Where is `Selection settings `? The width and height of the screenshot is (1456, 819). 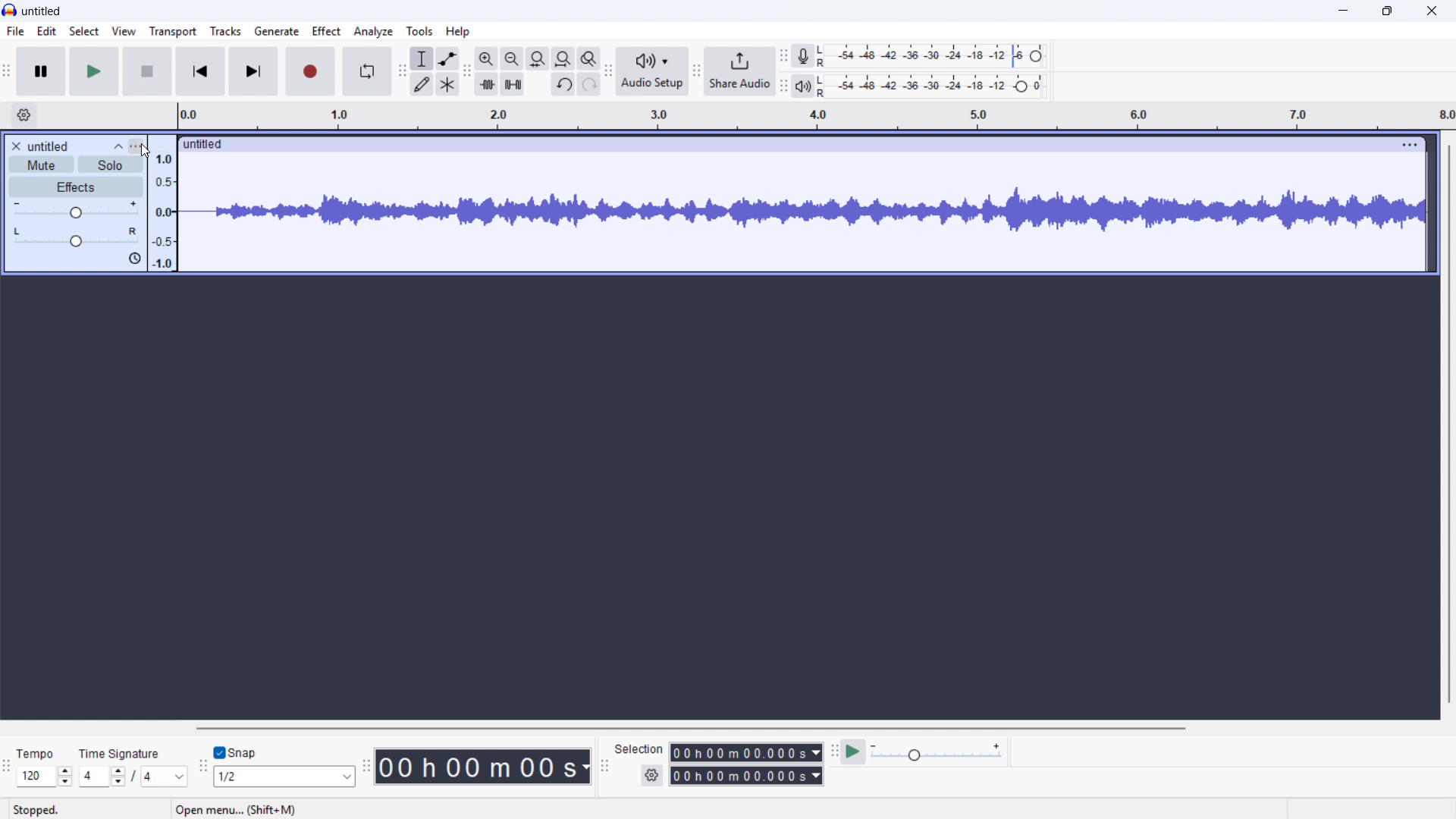 Selection settings  is located at coordinates (652, 775).